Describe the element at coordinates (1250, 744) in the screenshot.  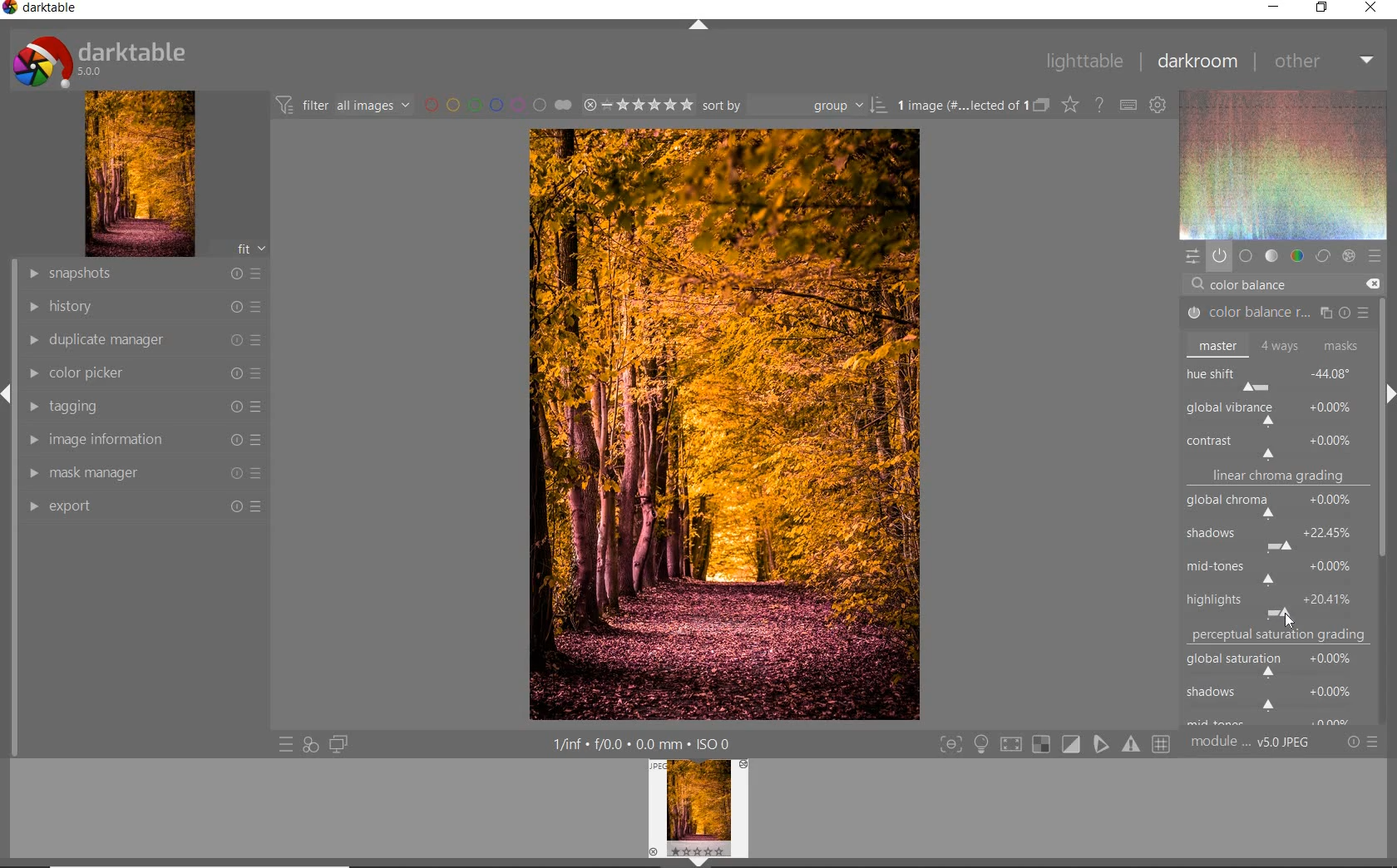
I see `module order` at that location.